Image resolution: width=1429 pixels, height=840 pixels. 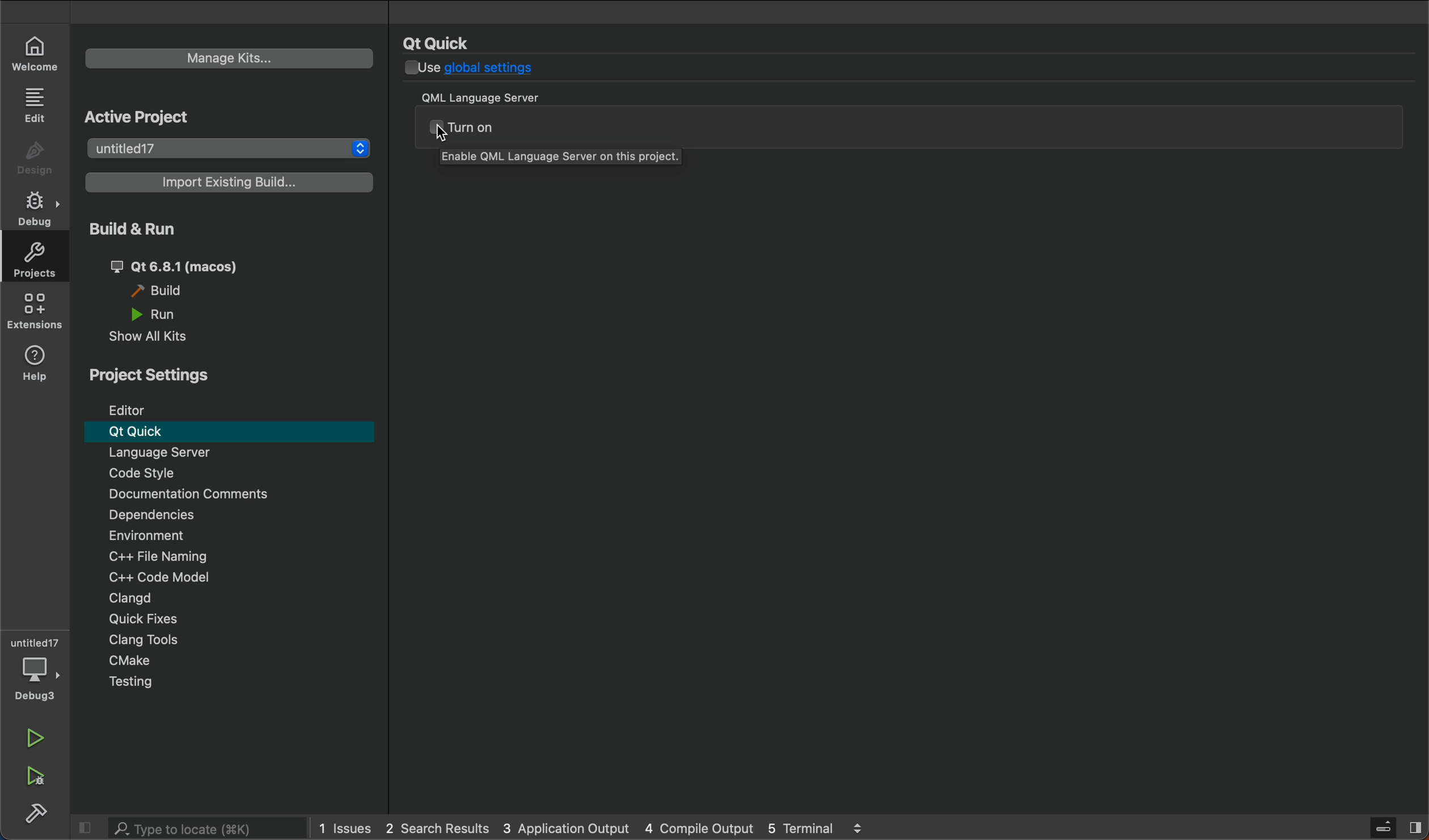 I want to click on show all kits, so click(x=152, y=340).